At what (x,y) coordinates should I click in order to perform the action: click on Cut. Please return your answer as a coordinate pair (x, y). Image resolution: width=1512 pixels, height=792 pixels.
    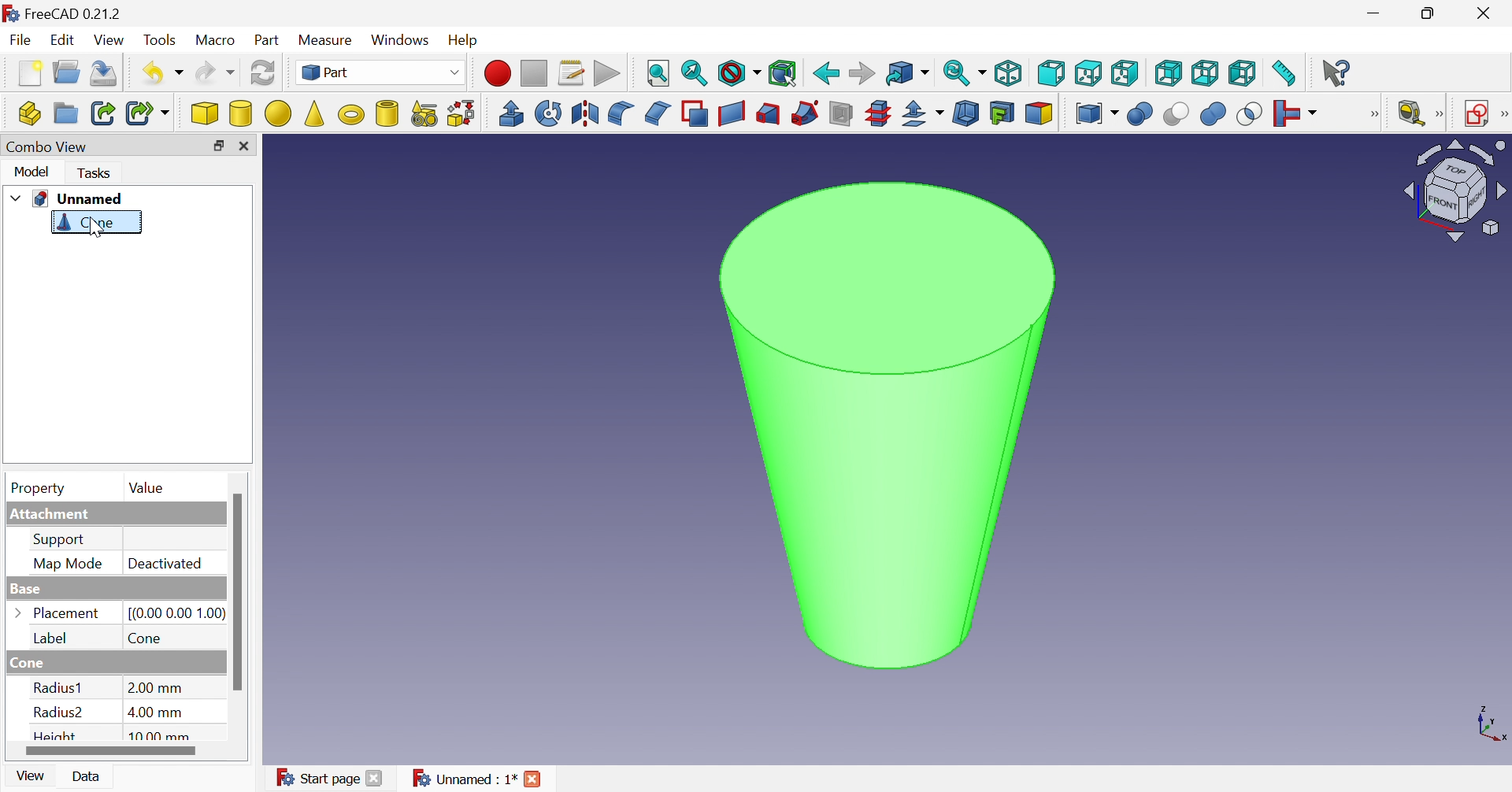
    Looking at the image, I should click on (1174, 113).